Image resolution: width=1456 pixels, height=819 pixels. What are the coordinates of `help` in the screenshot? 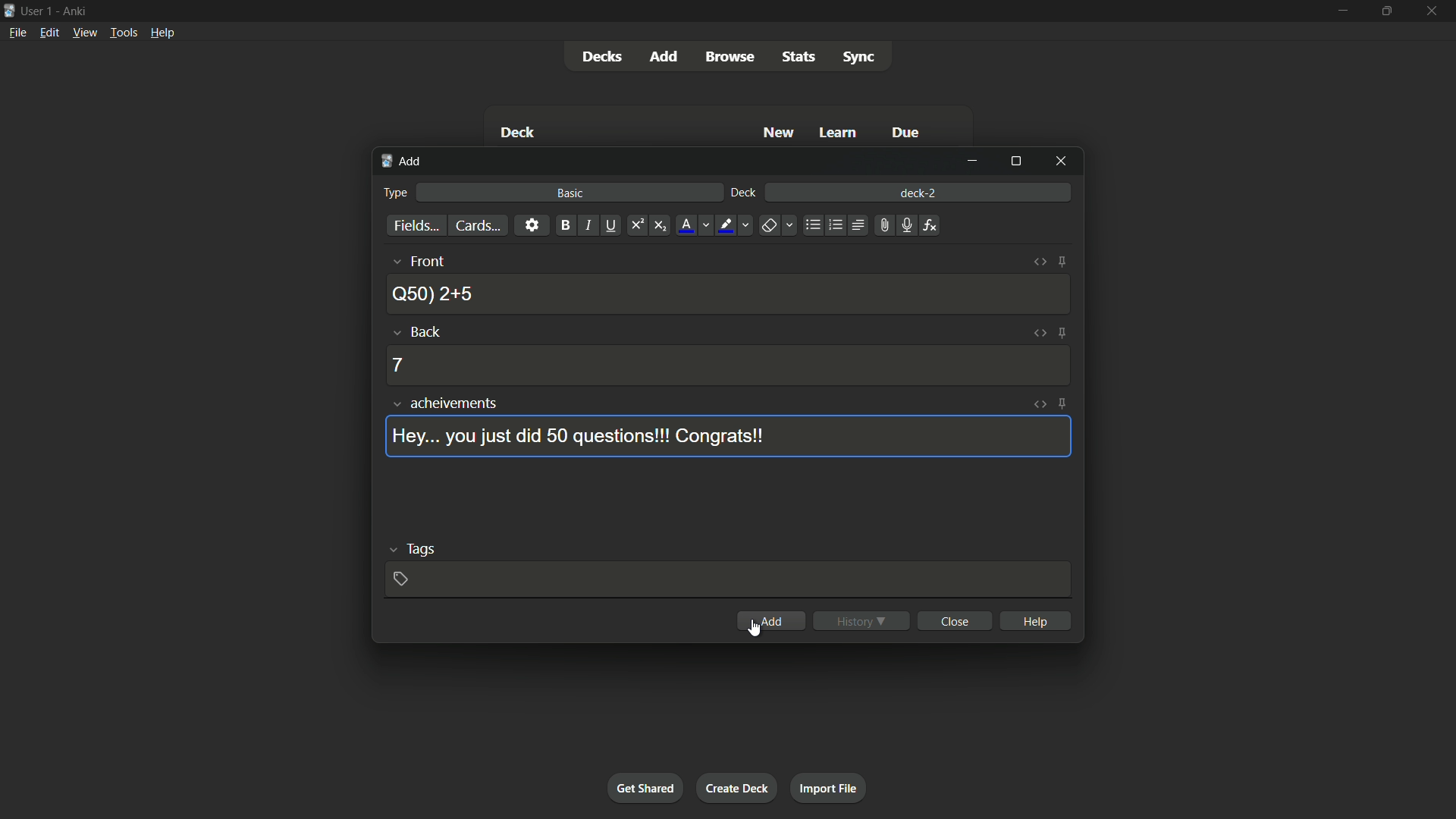 It's located at (1034, 620).